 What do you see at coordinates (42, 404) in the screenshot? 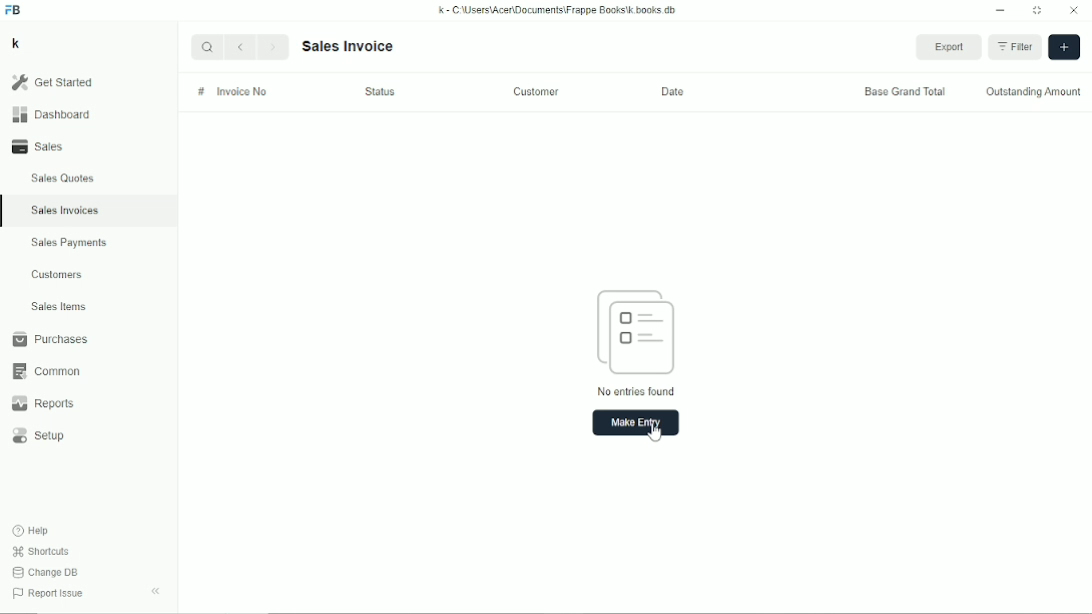
I see `Reports` at bounding box center [42, 404].